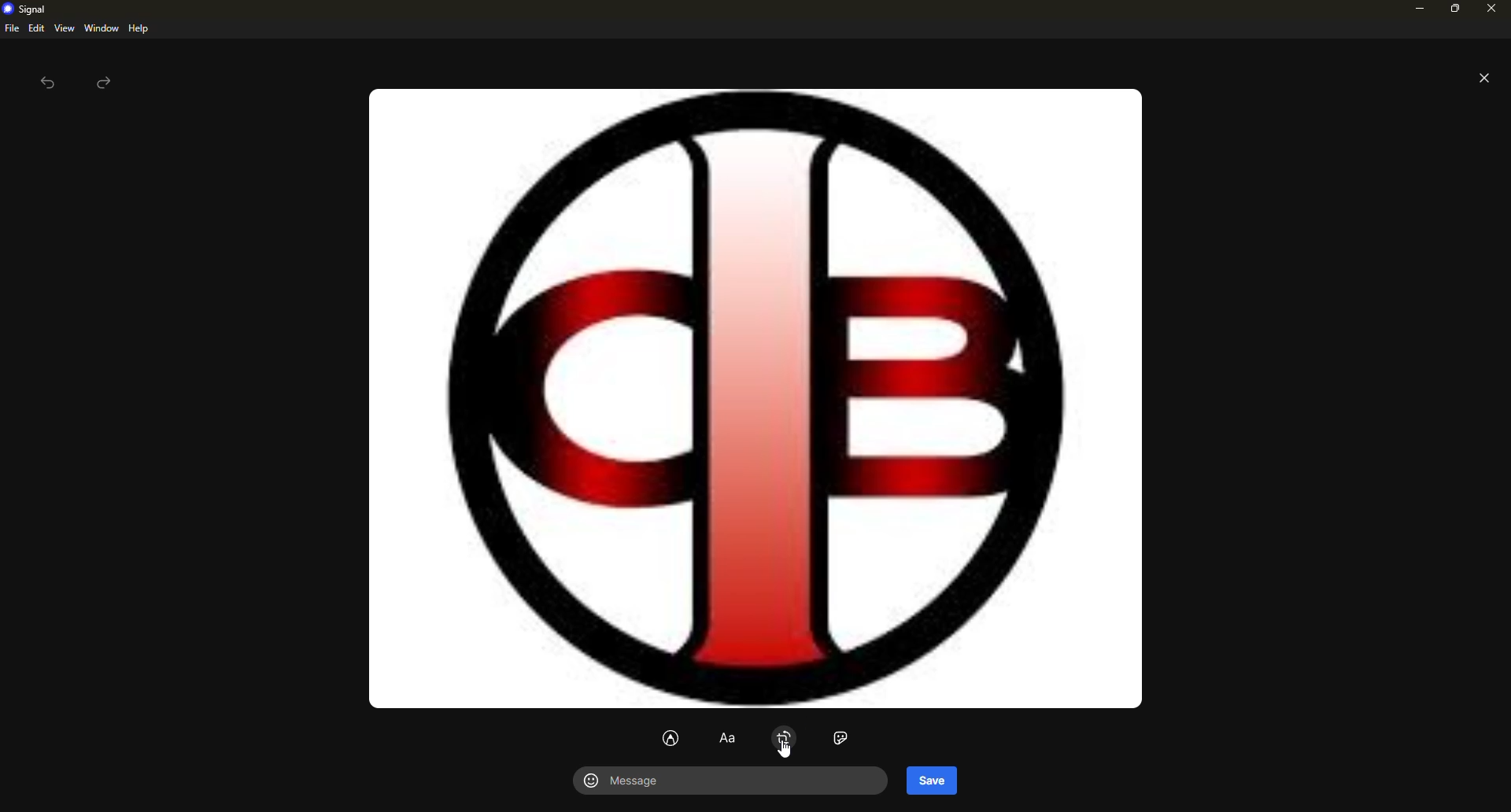 The height and width of the screenshot is (812, 1511). I want to click on file, so click(11, 28).